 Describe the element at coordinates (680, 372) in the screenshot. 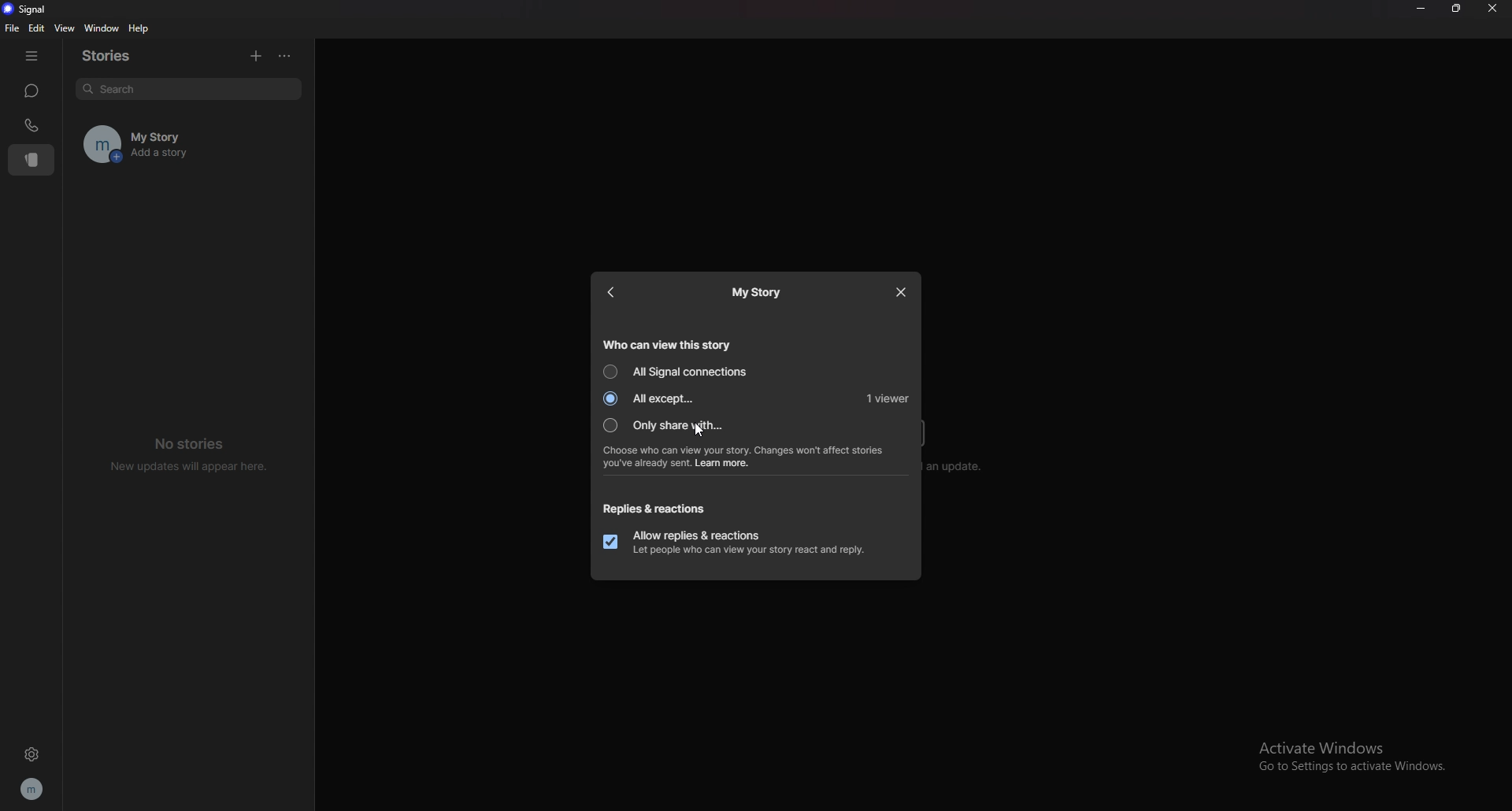

I see `all signal connections` at that location.